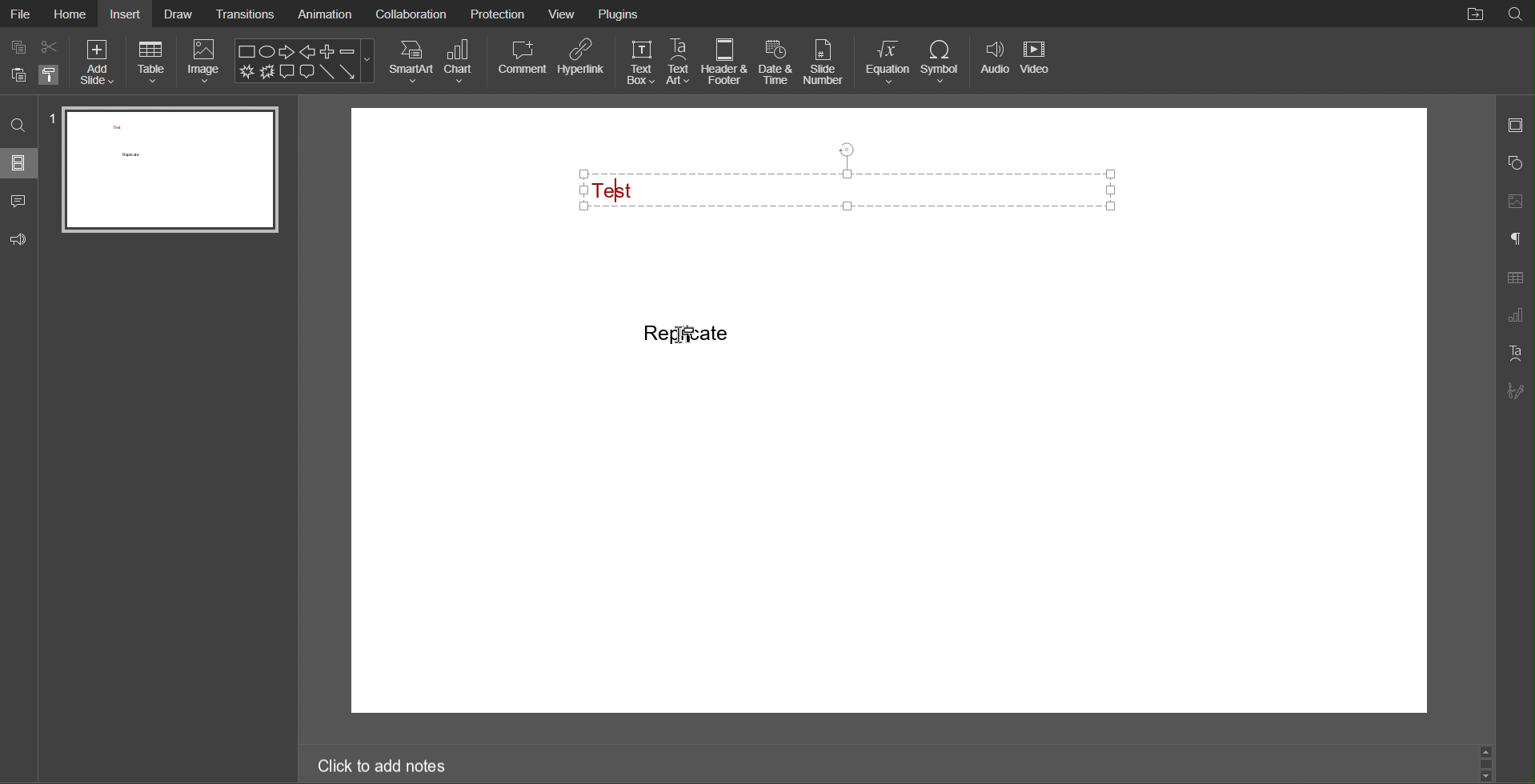  What do you see at coordinates (888, 62) in the screenshot?
I see `Equation` at bounding box center [888, 62].